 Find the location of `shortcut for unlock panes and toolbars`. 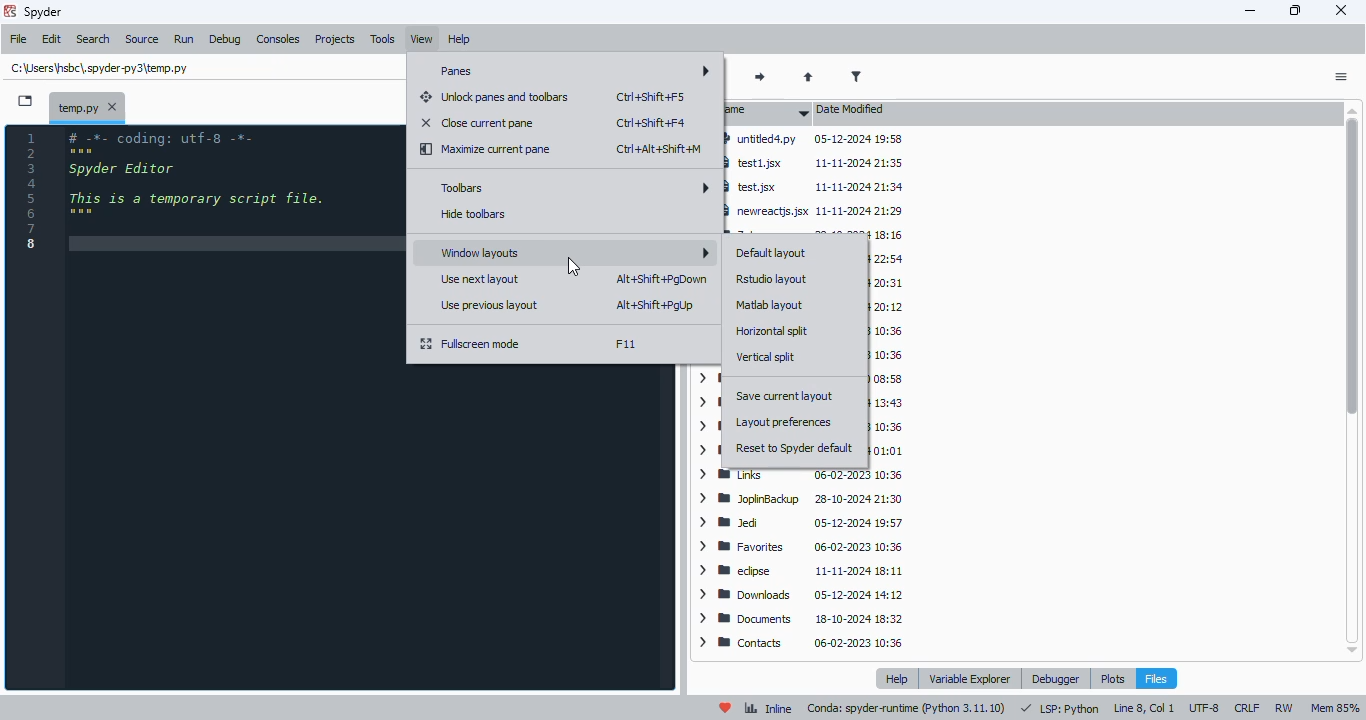

shortcut for unlock panes and toolbars is located at coordinates (652, 96).